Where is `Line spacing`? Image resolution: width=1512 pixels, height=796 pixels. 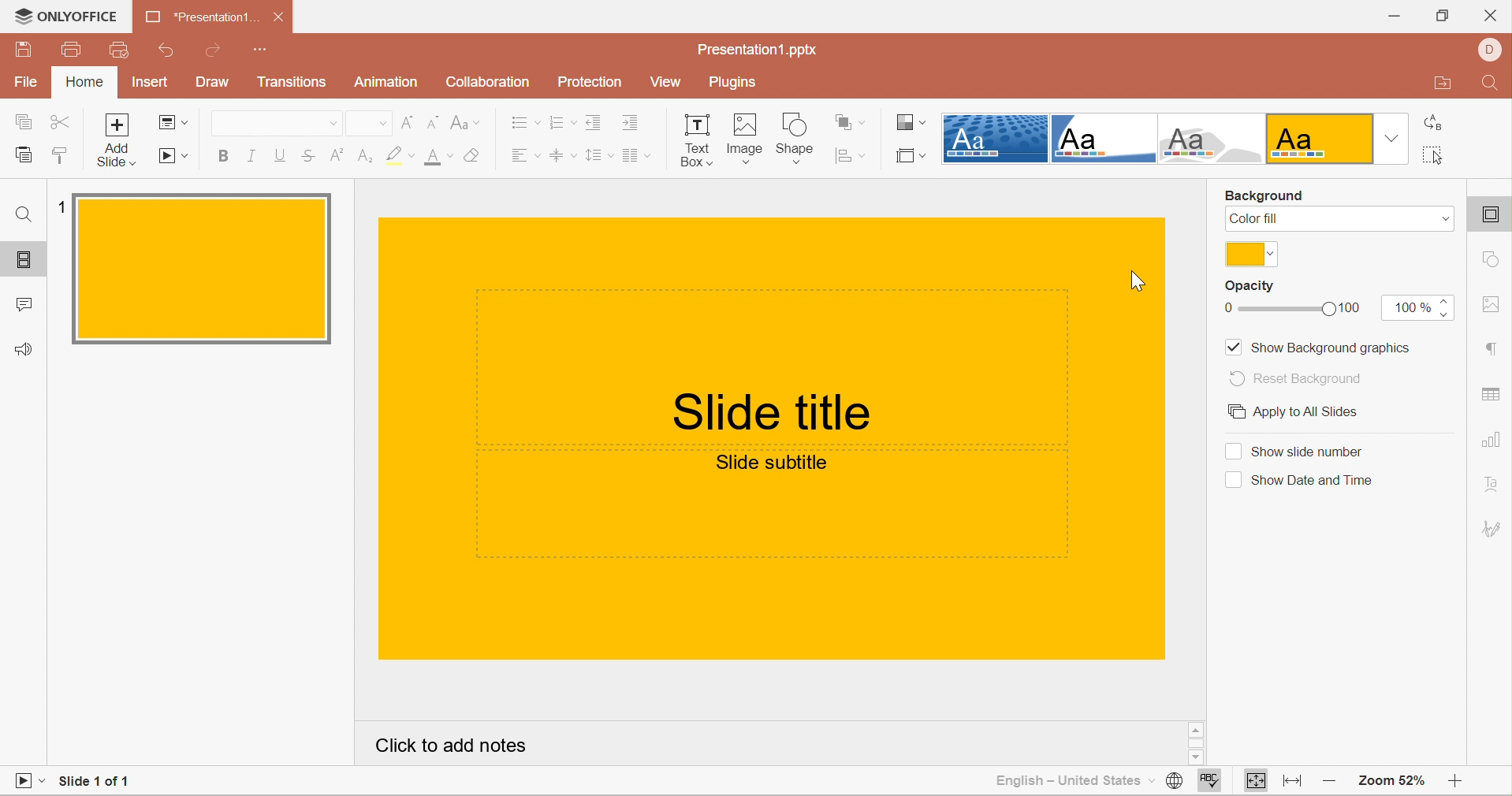 Line spacing is located at coordinates (598, 154).